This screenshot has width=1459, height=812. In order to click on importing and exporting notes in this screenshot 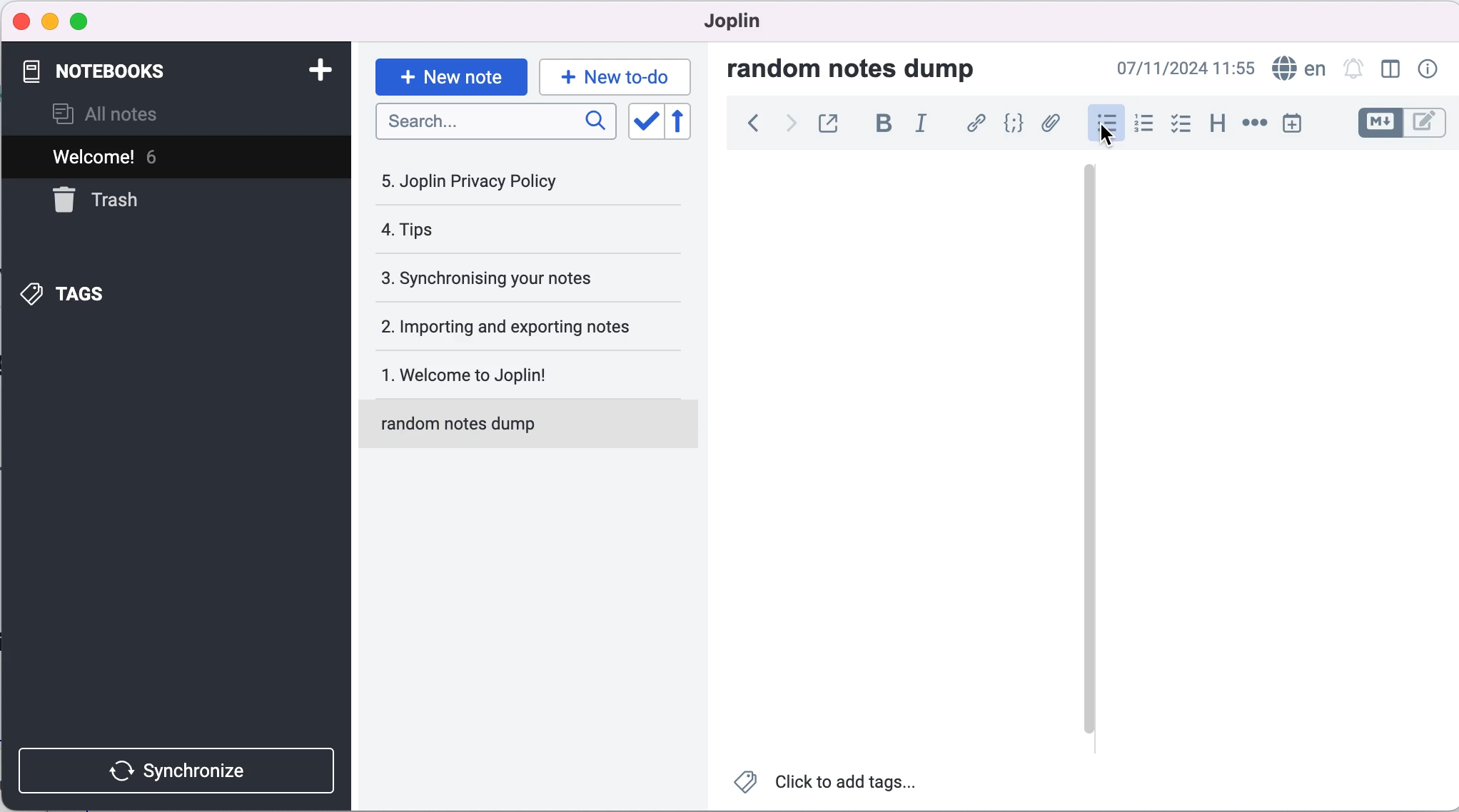, I will do `click(515, 325)`.